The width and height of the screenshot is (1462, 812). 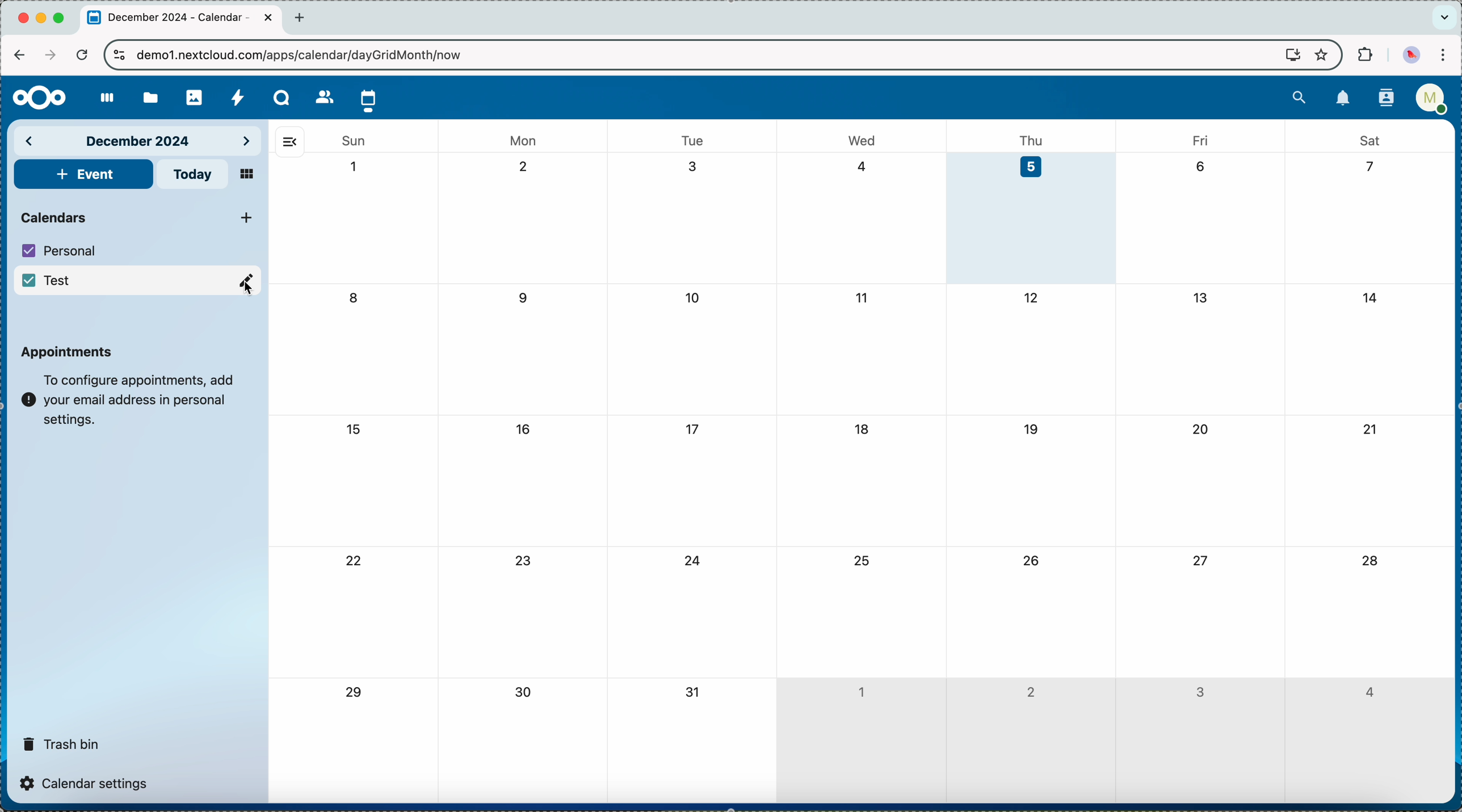 What do you see at coordinates (1032, 428) in the screenshot?
I see `19` at bounding box center [1032, 428].